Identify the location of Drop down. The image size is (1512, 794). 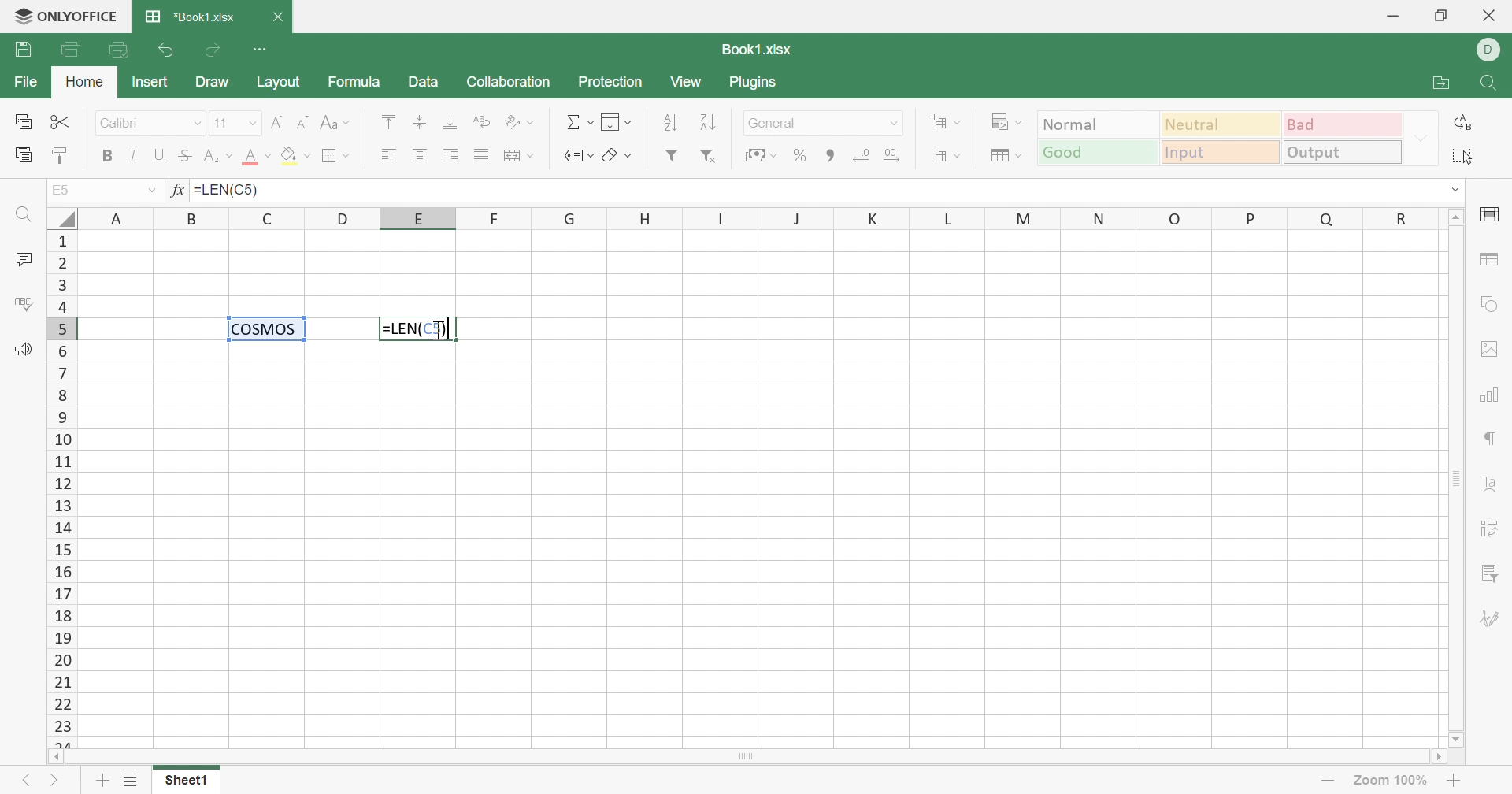
(198, 124).